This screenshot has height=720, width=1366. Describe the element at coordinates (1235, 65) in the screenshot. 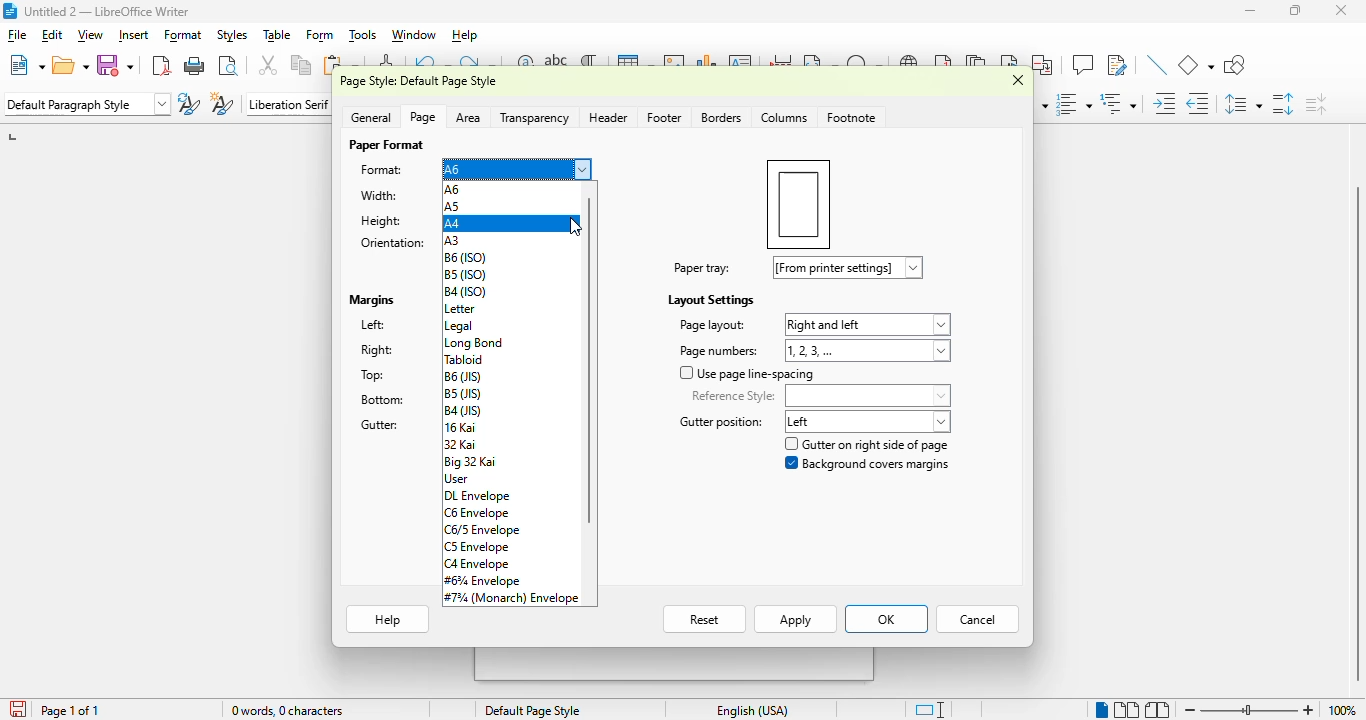

I see `show draw functions` at that location.